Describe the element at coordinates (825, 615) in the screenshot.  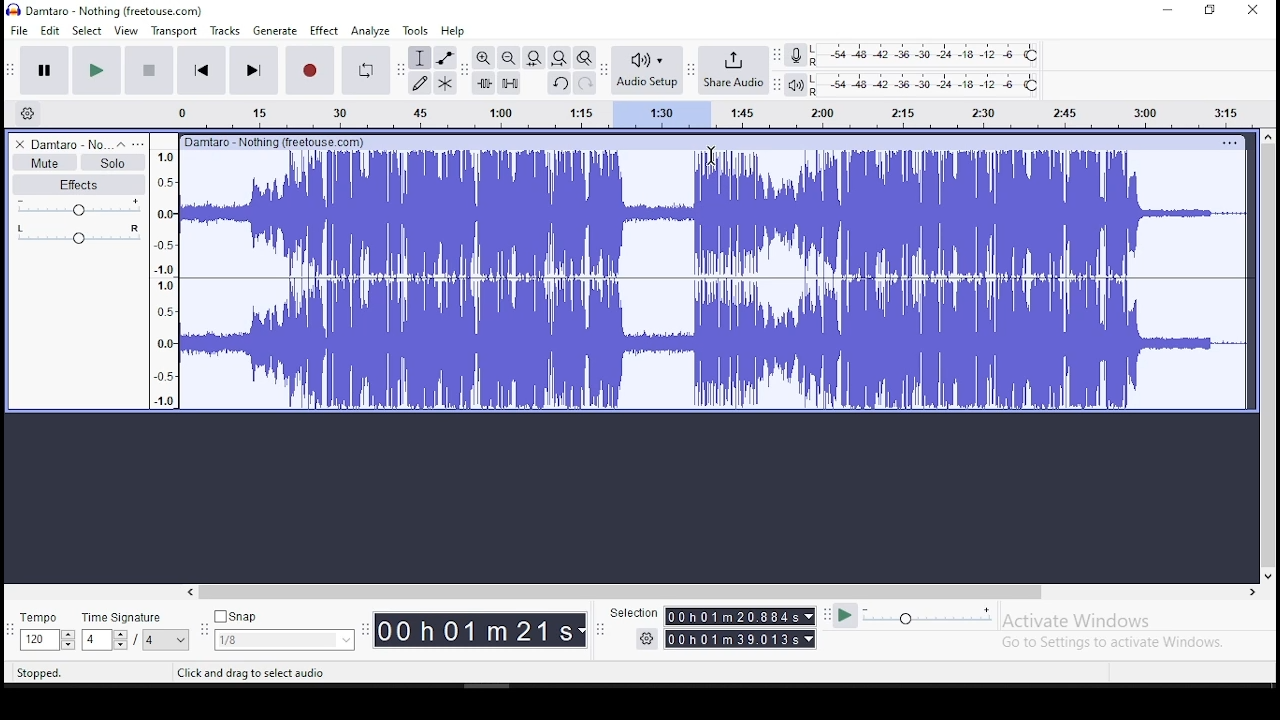
I see `` at that location.